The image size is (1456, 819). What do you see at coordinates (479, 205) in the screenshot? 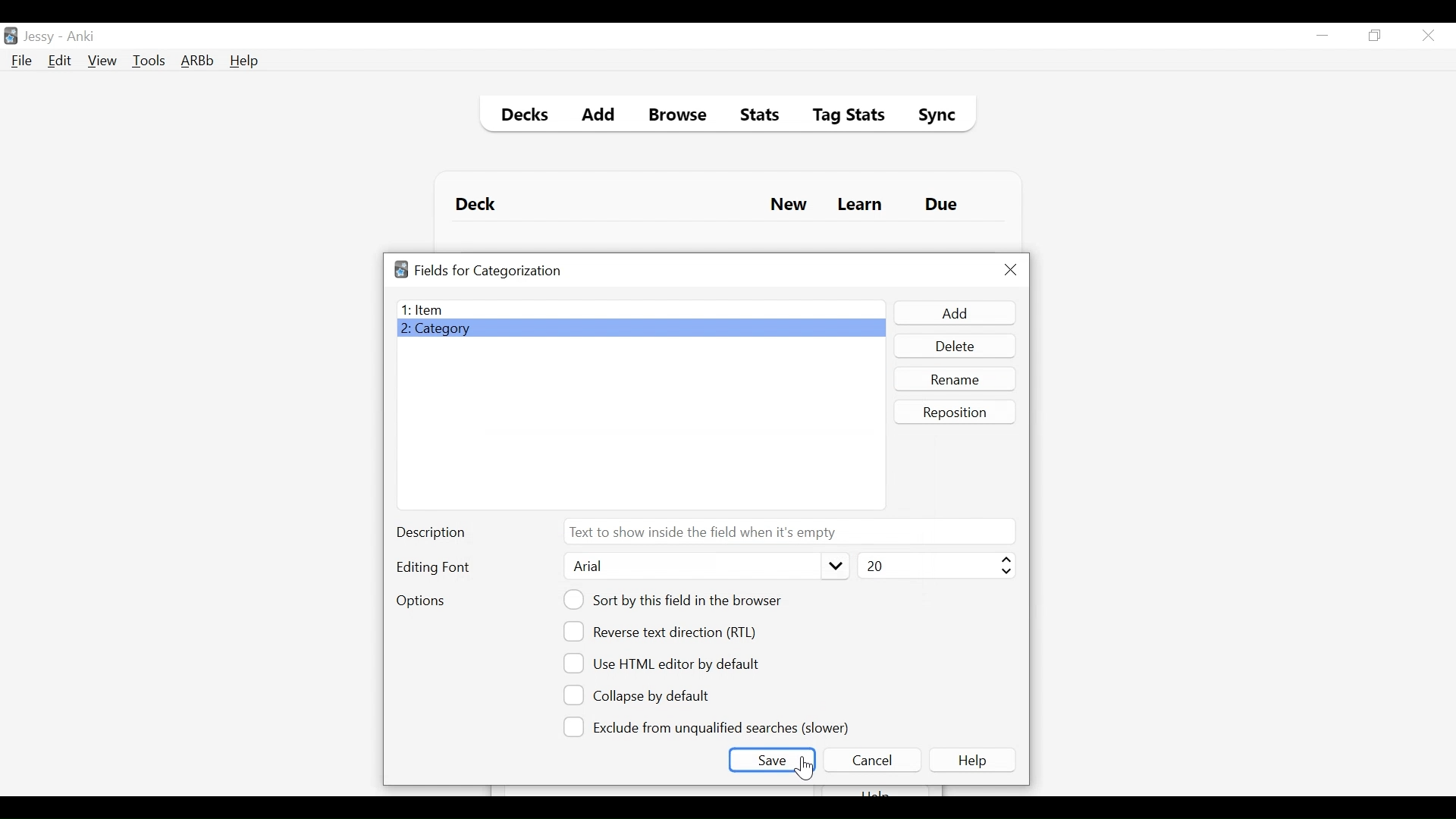
I see `Deck` at bounding box center [479, 205].